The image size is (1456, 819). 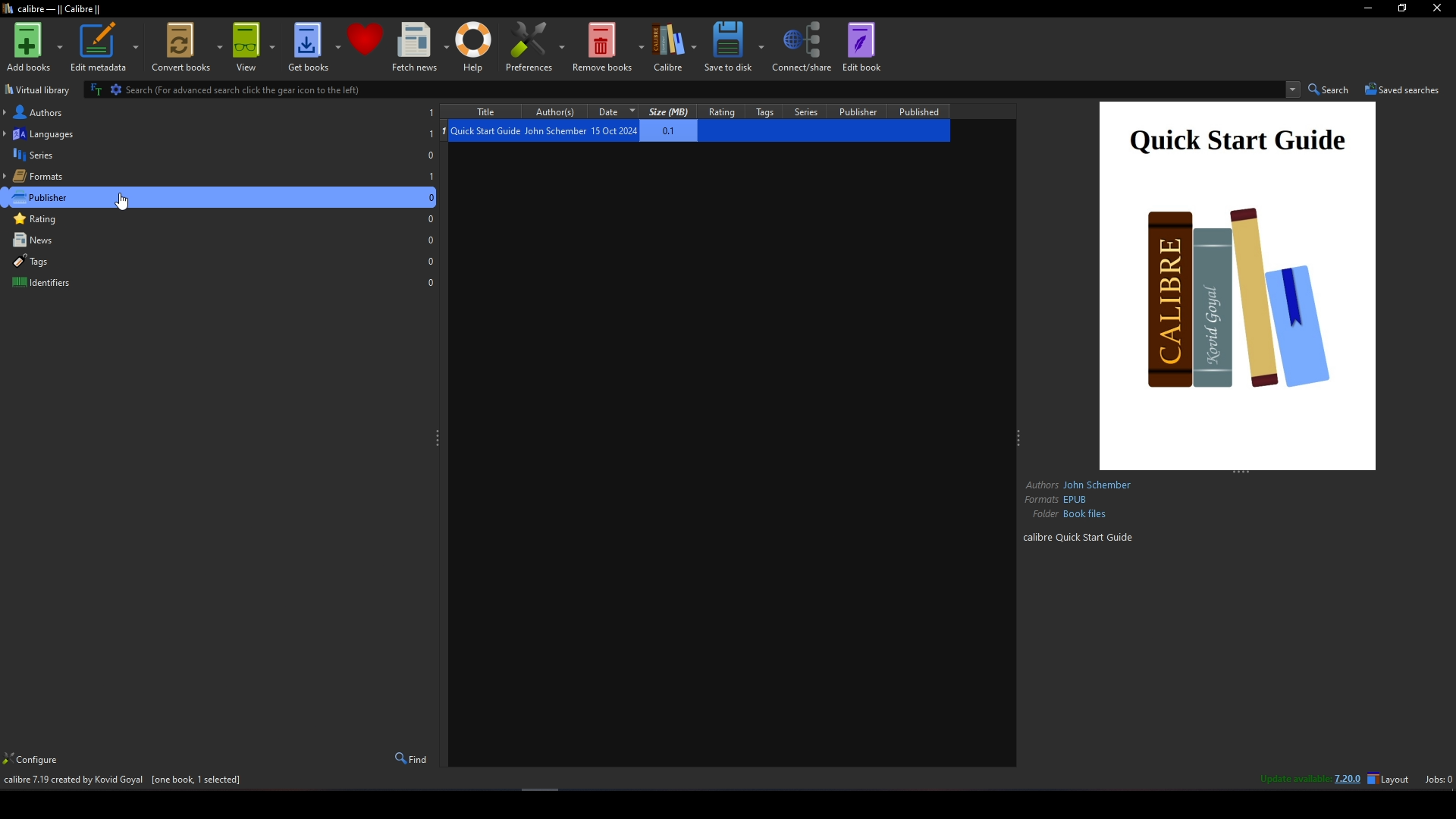 What do you see at coordinates (860, 111) in the screenshot?
I see `Publisher` at bounding box center [860, 111].